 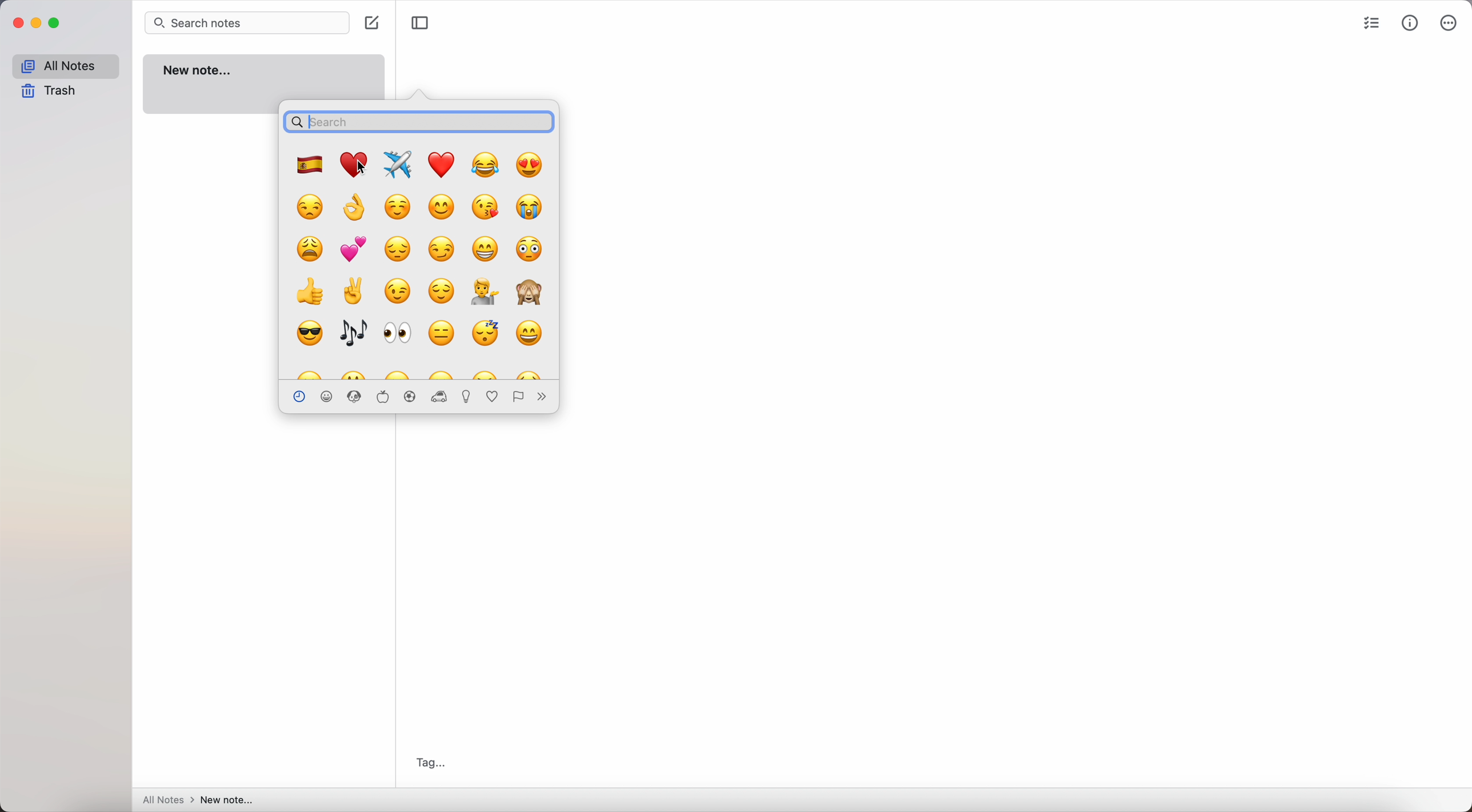 I want to click on Spain flag, so click(x=311, y=165).